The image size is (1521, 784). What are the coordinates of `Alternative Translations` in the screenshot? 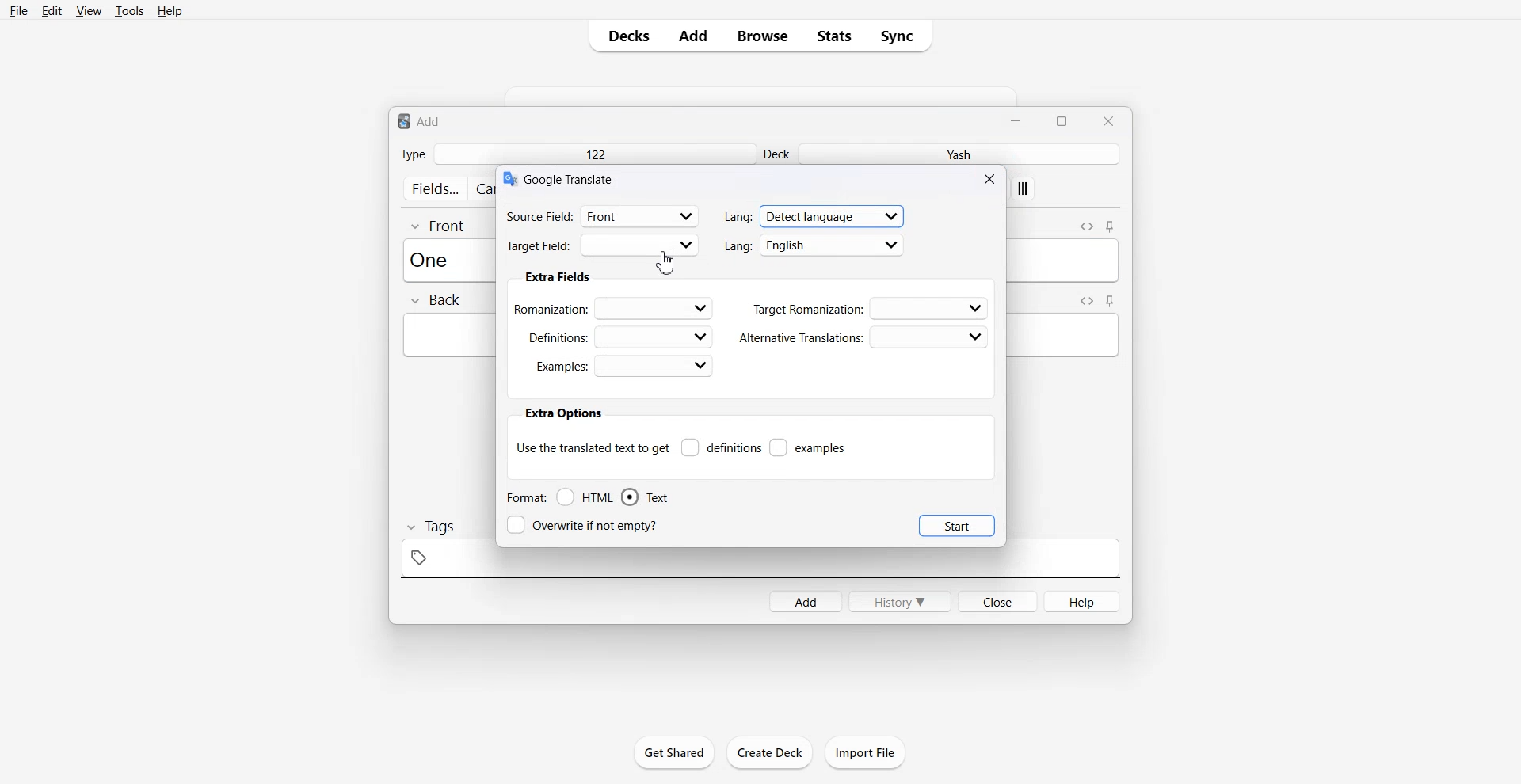 It's located at (863, 337).